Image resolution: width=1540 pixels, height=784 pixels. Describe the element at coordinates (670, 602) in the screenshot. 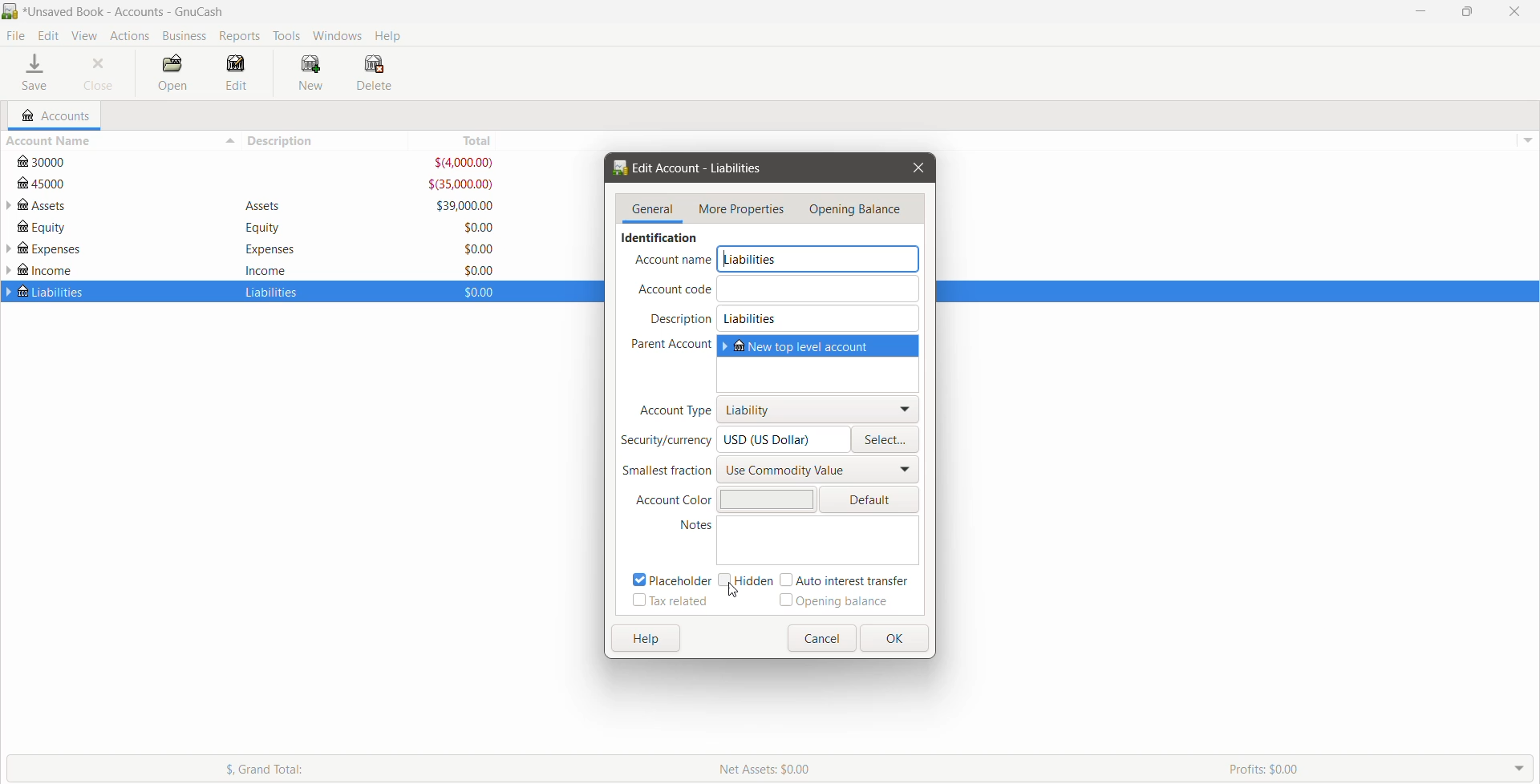

I see `Tax related - click to enable/disable` at that location.